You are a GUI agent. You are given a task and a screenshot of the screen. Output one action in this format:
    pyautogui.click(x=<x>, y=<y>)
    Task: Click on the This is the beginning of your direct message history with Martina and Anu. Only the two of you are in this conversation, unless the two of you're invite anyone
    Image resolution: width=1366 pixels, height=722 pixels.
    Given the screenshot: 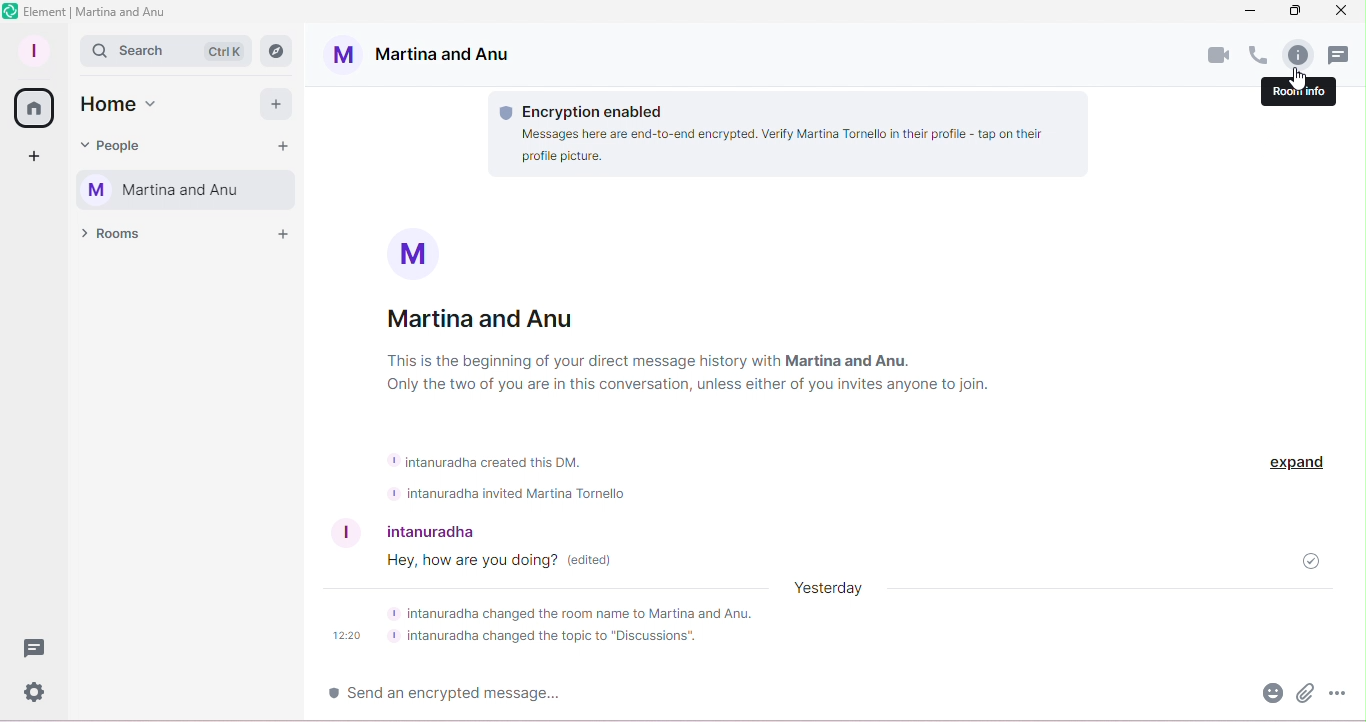 What is the action you would take?
    pyautogui.click(x=714, y=372)
    